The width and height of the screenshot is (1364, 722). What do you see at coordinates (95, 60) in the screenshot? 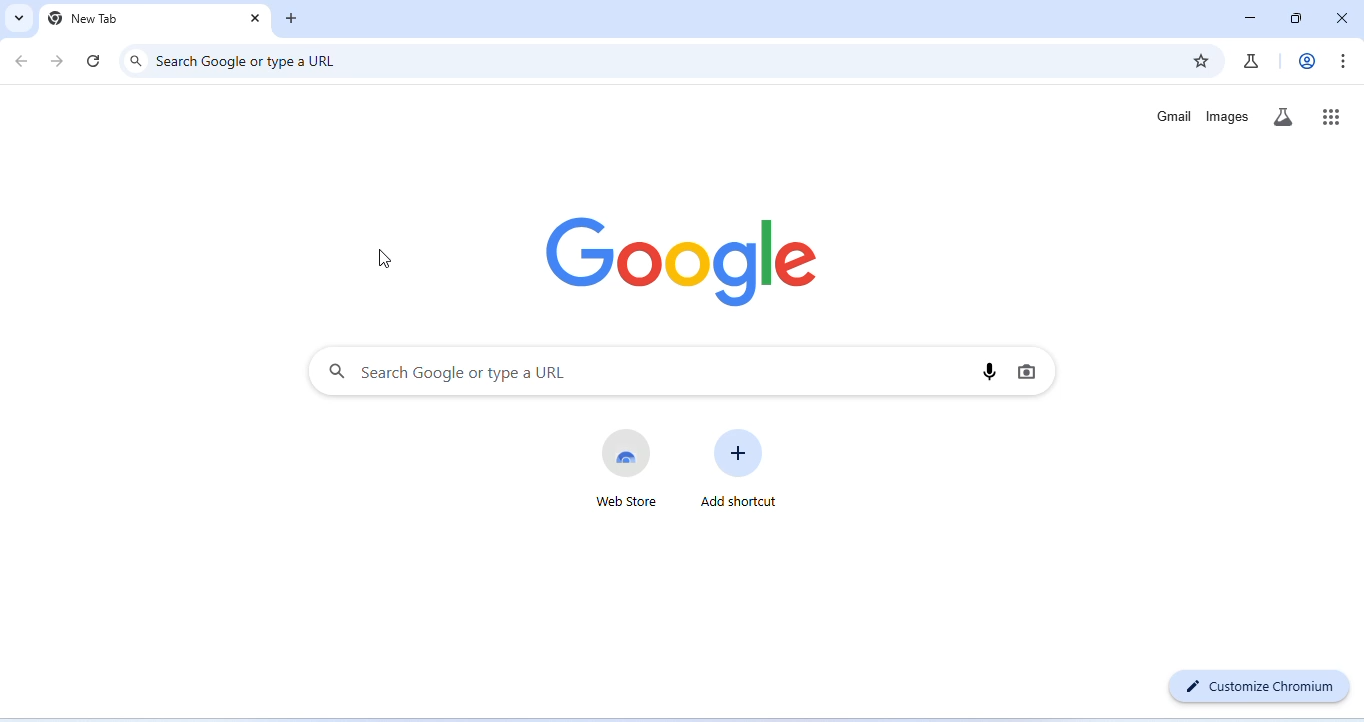
I see `refresh` at bounding box center [95, 60].